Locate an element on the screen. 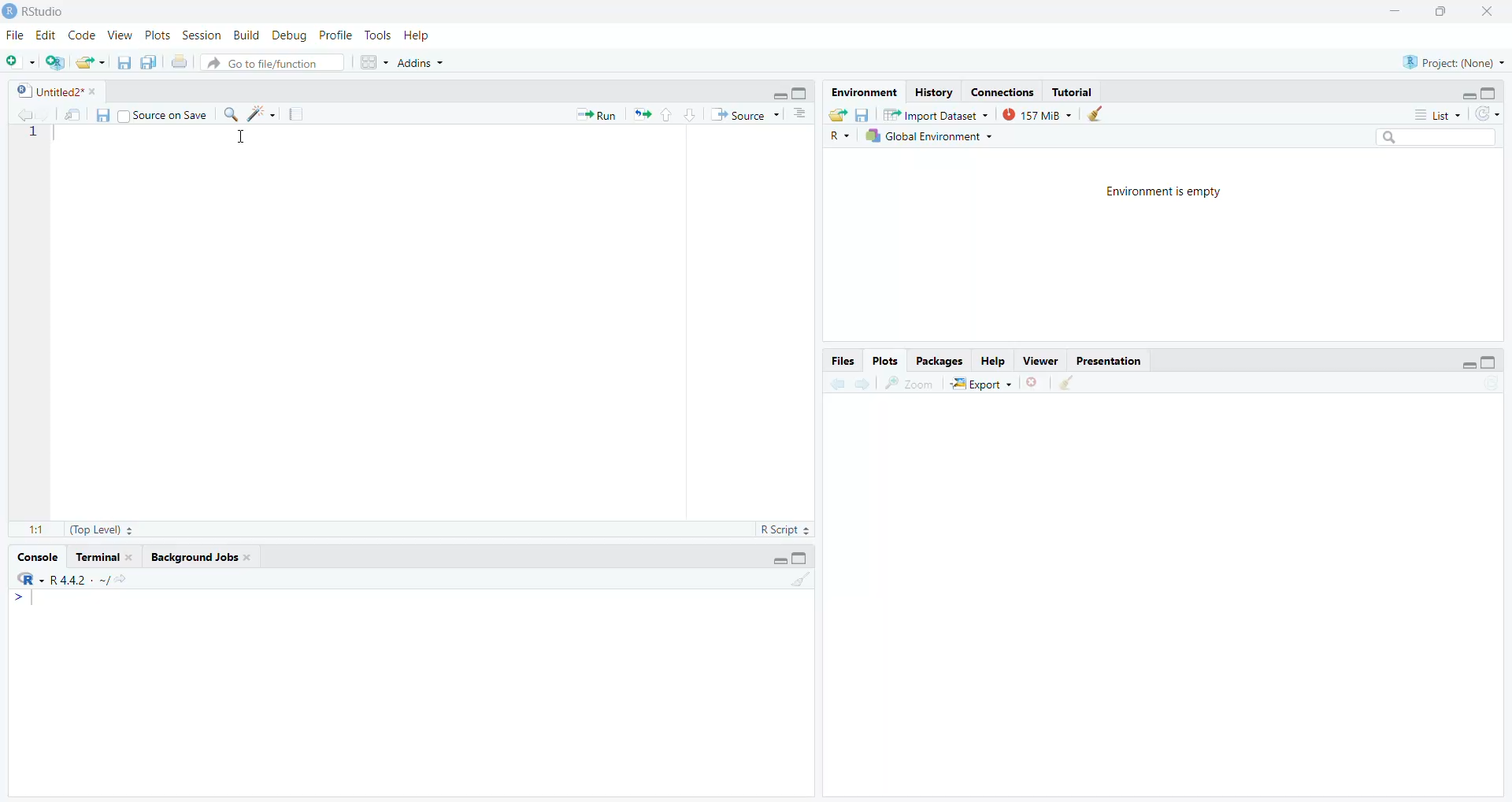 The width and height of the screenshot is (1512, 802). Tools is located at coordinates (378, 35).